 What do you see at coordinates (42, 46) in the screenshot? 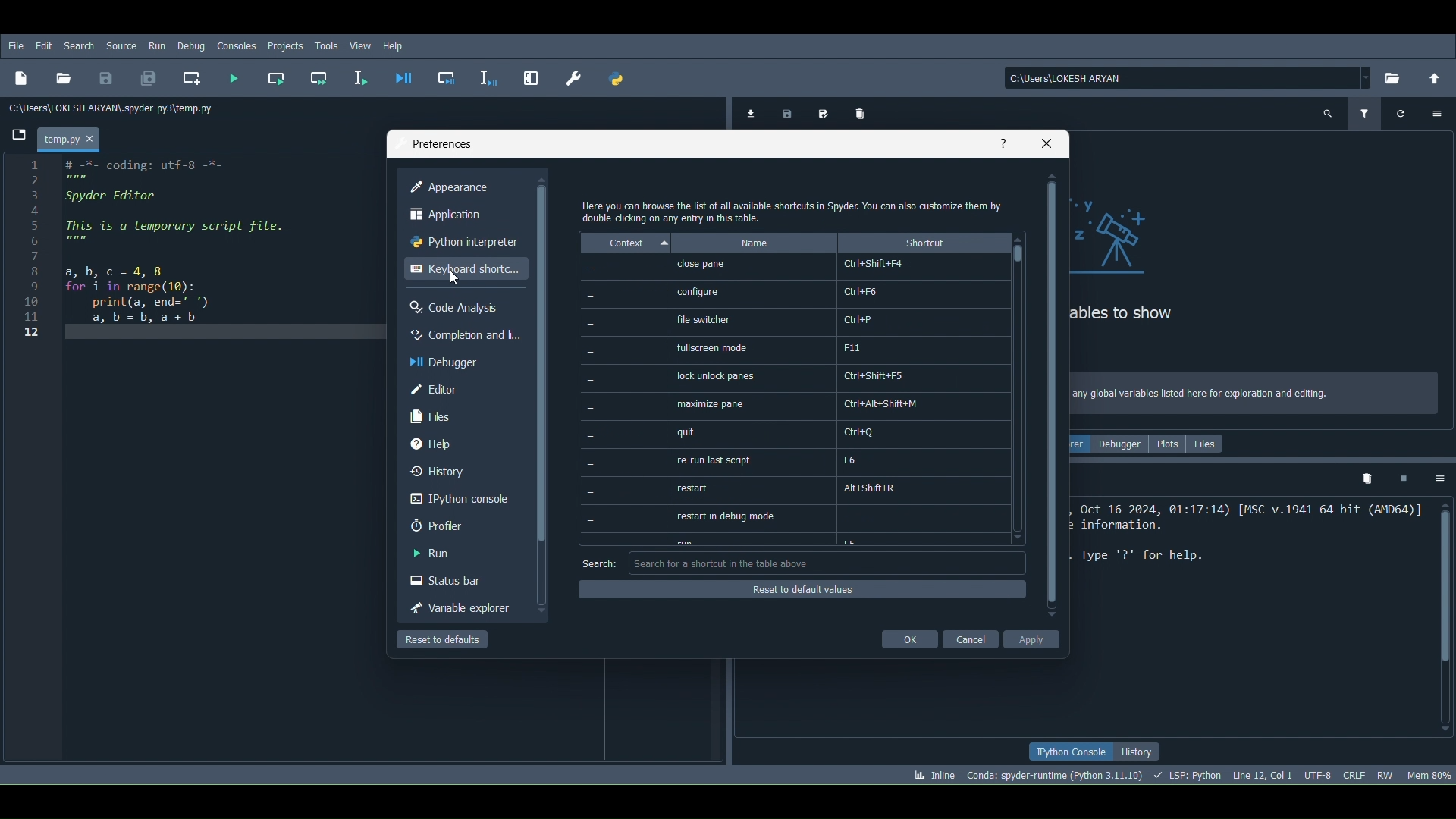
I see `Edit` at bounding box center [42, 46].